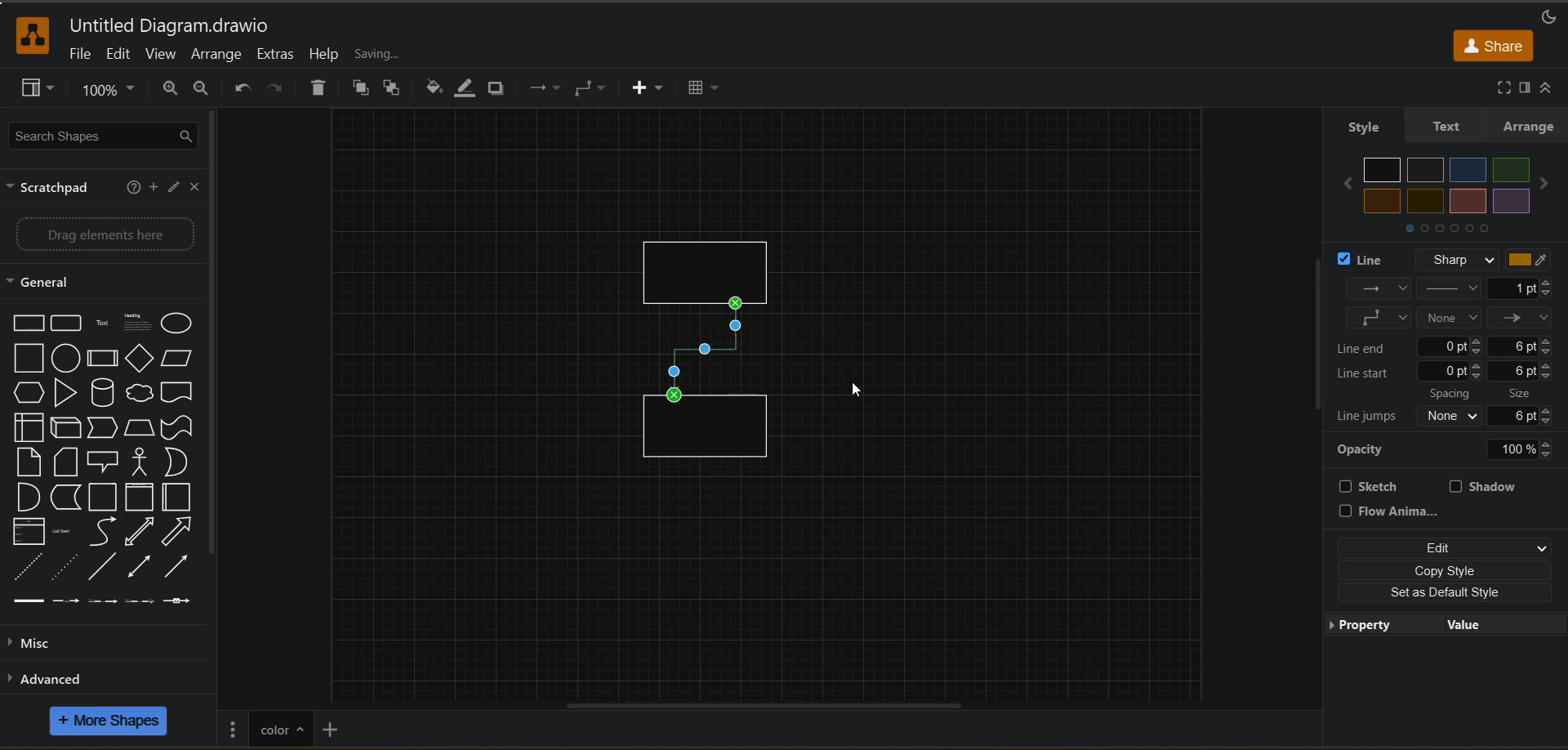  I want to click on vertical scroll bar, so click(220, 338).